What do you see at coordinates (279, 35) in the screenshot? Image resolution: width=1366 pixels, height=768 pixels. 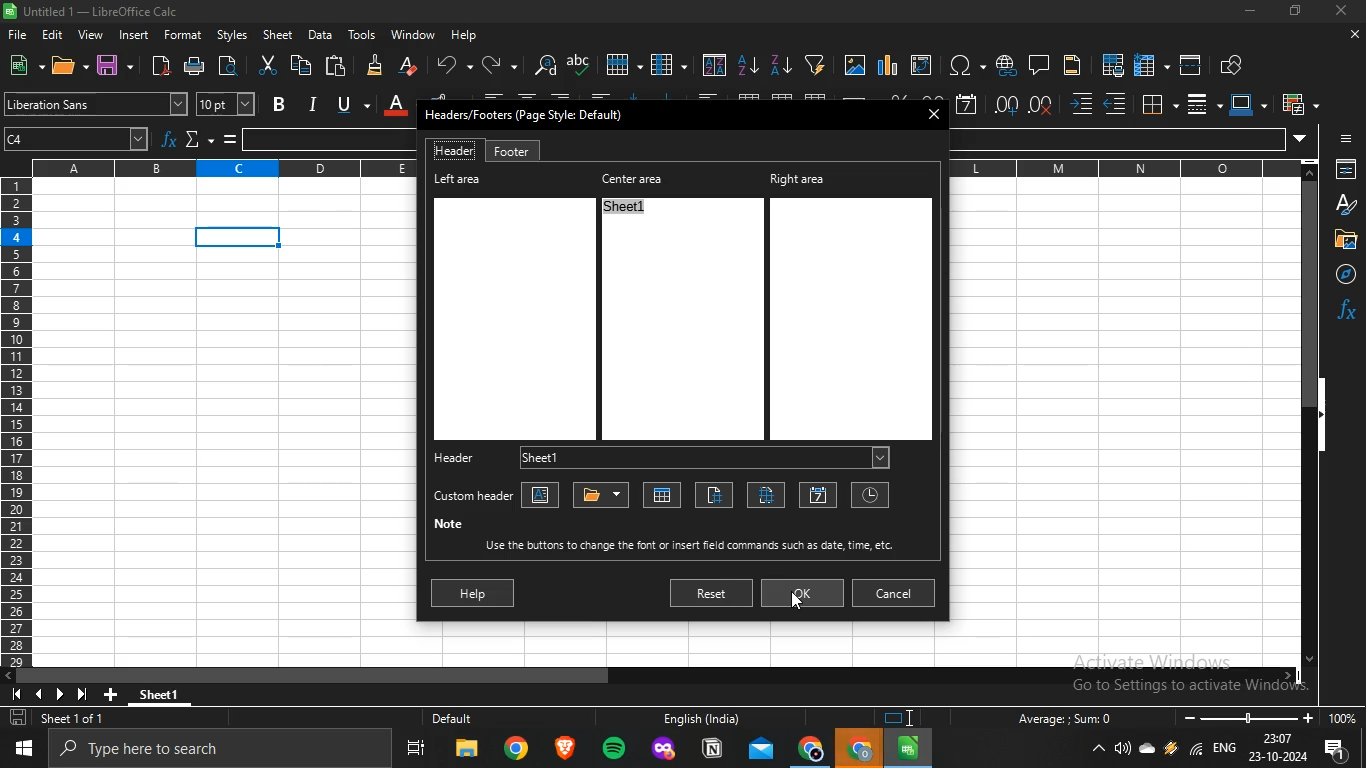 I see `sheet` at bounding box center [279, 35].